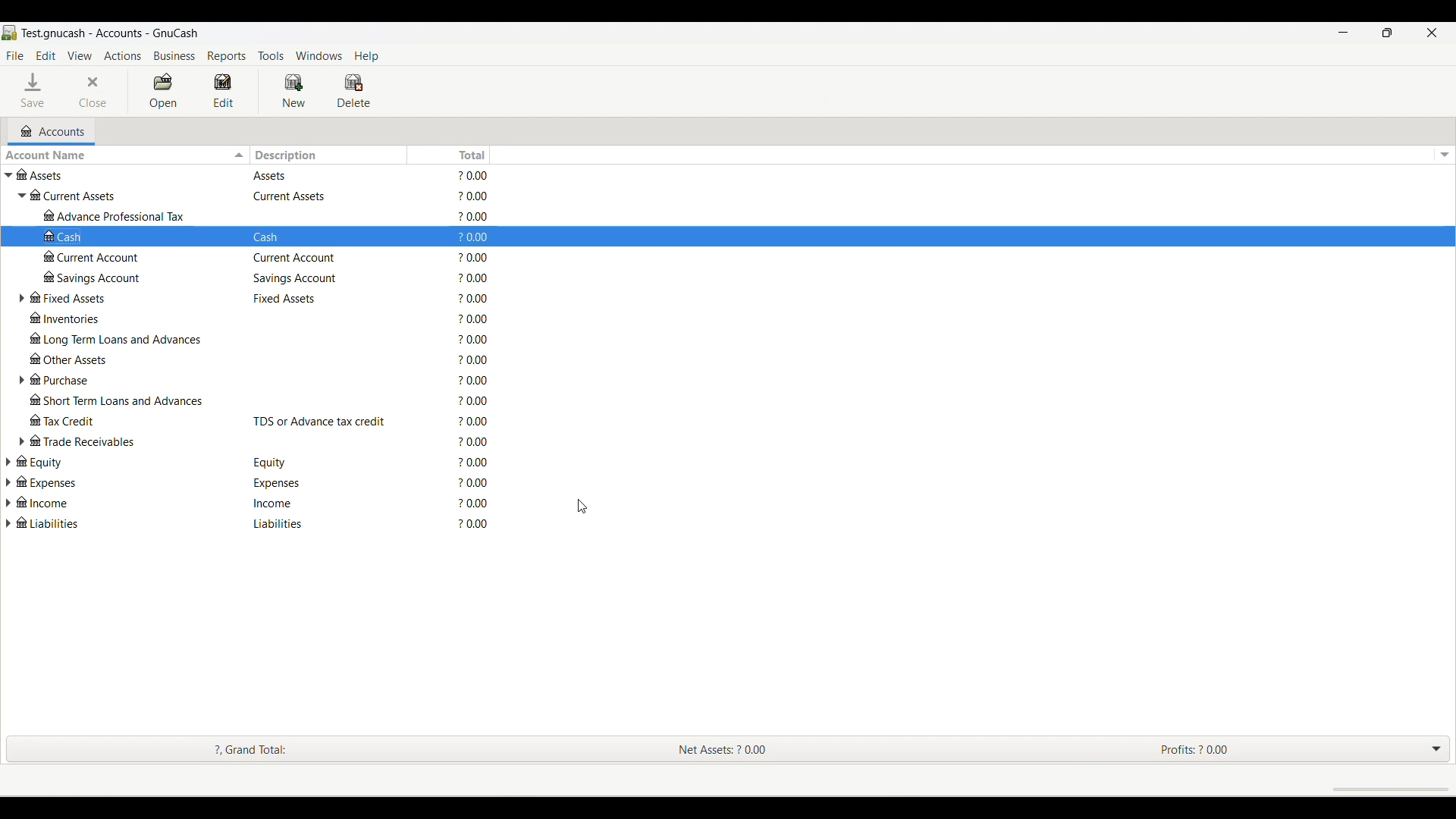  I want to click on Windows, so click(318, 56).